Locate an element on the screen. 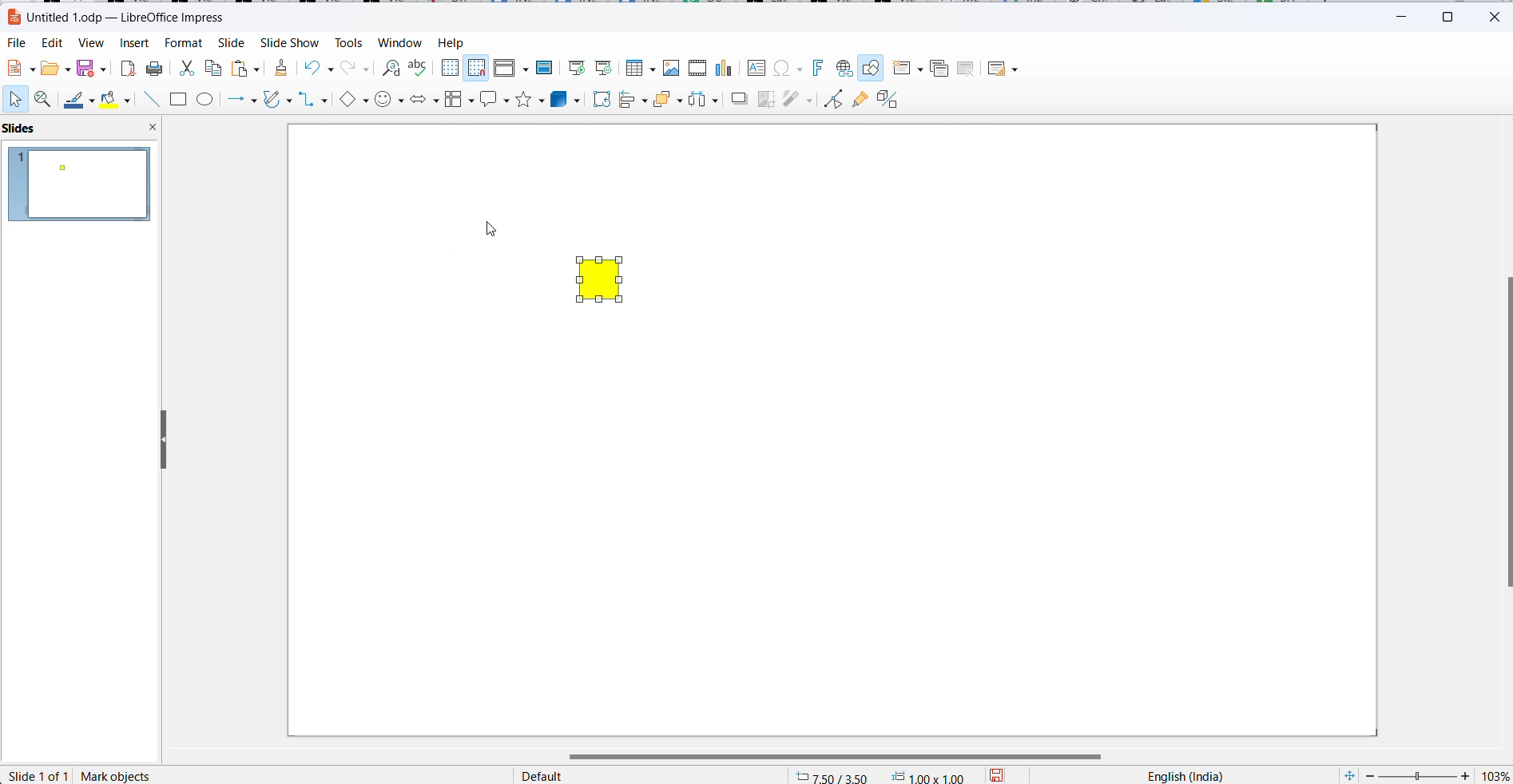 The height and width of the screenshot is (784, 1513). Window is located at coordinates (400, 44).